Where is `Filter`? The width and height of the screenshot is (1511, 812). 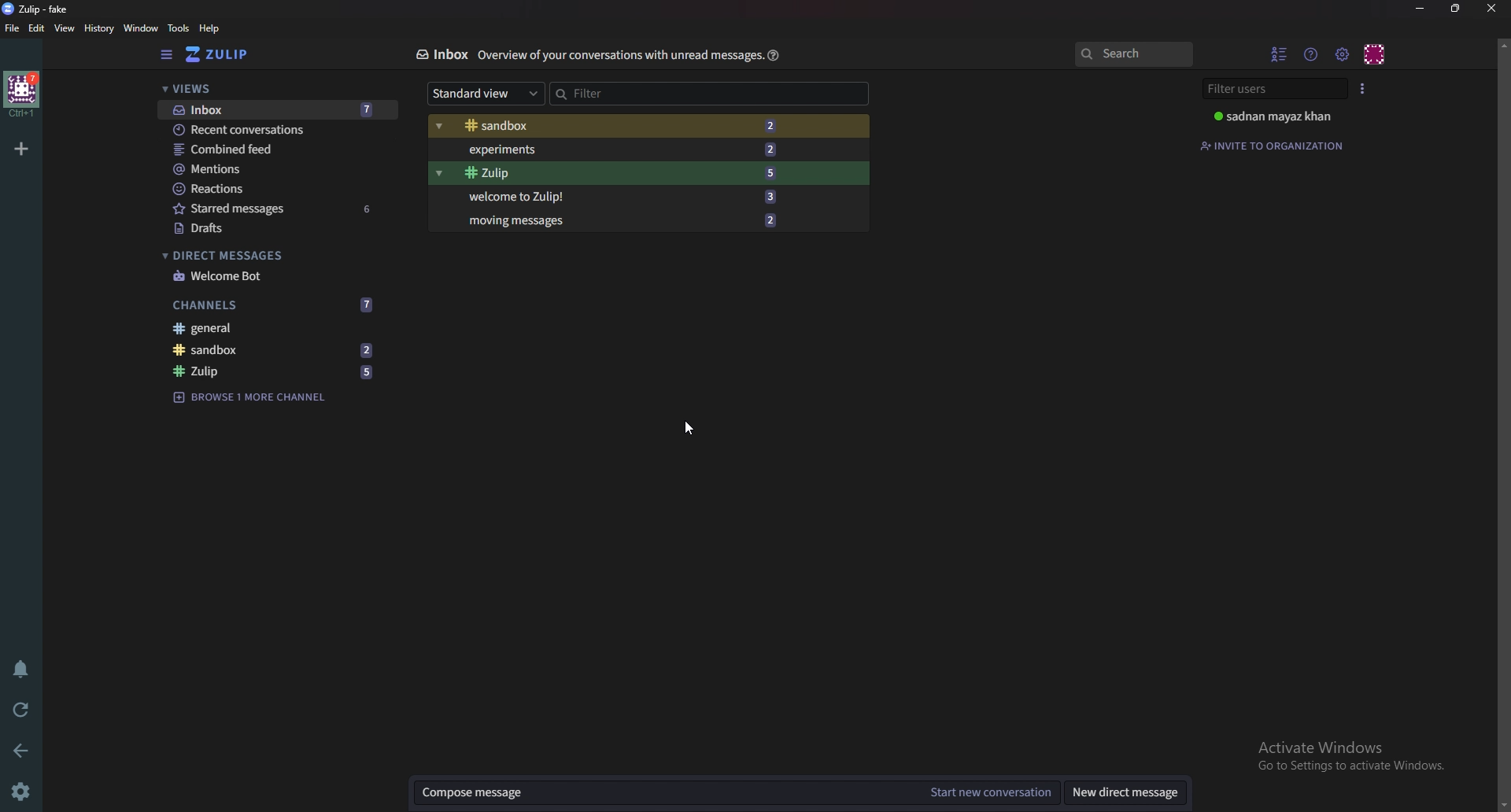
Filter is located at coordinates (617, 93).